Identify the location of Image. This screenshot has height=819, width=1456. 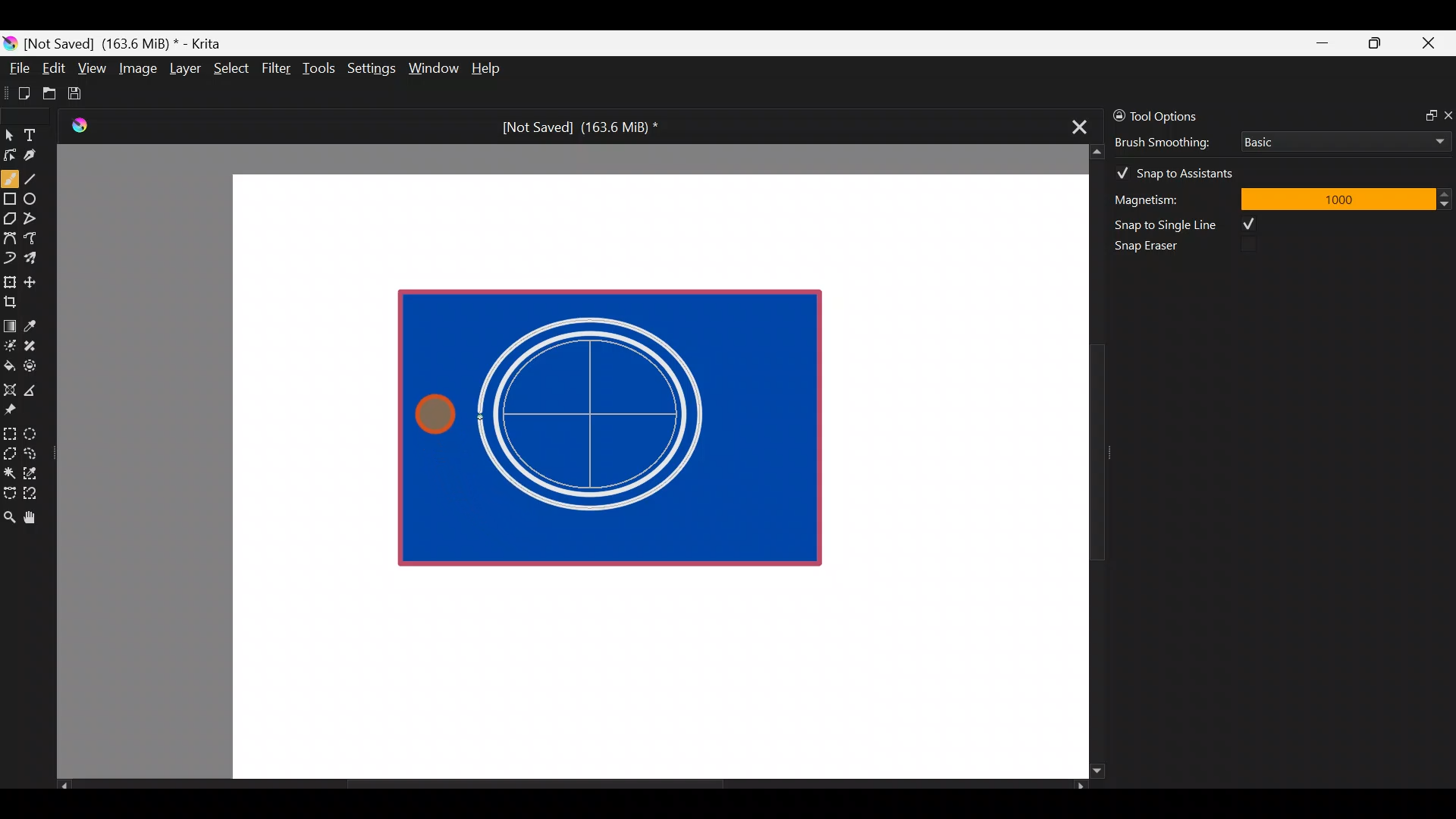
(137, 68).